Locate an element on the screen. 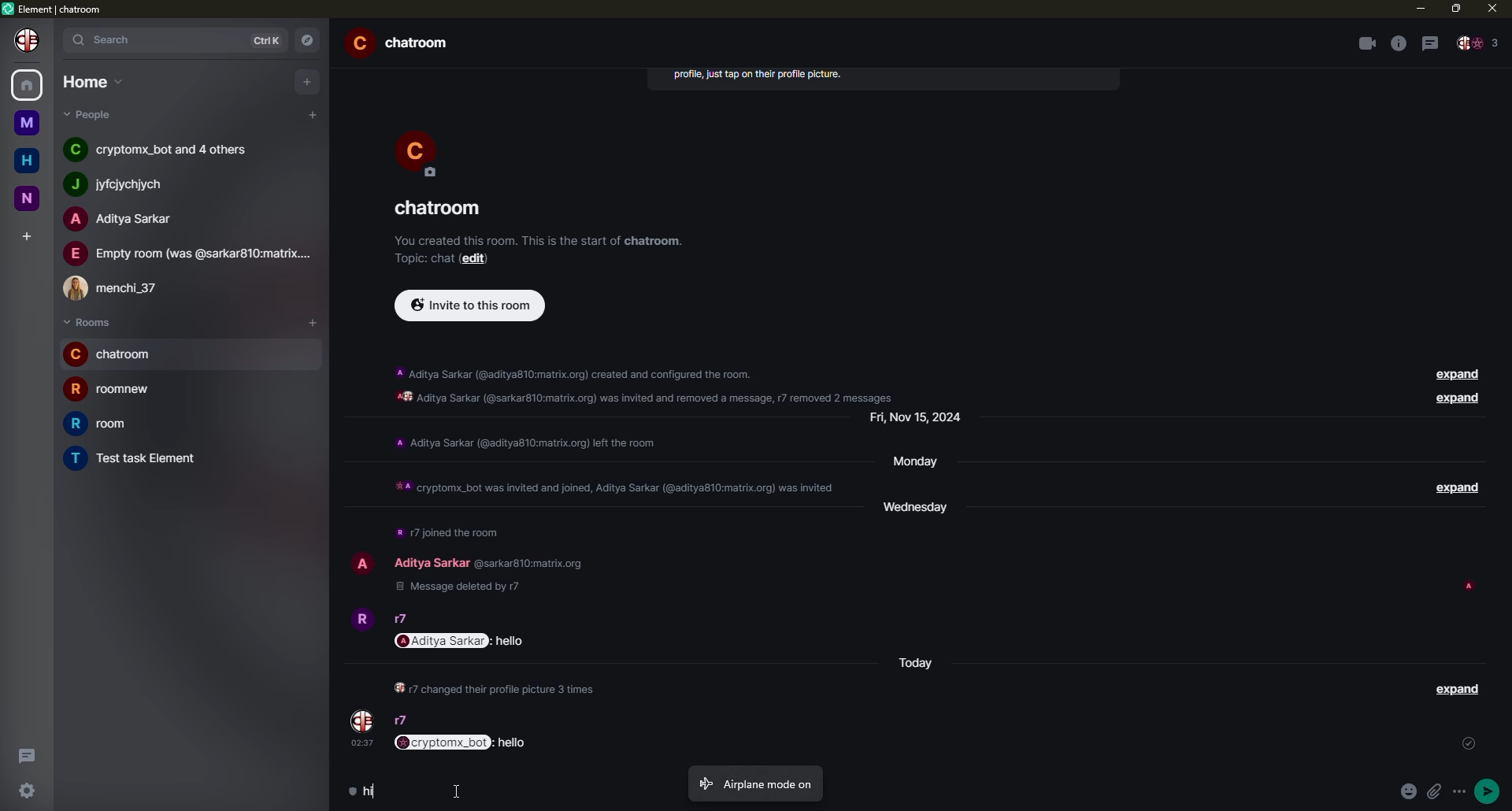  people is located at coordinates (126, 219).